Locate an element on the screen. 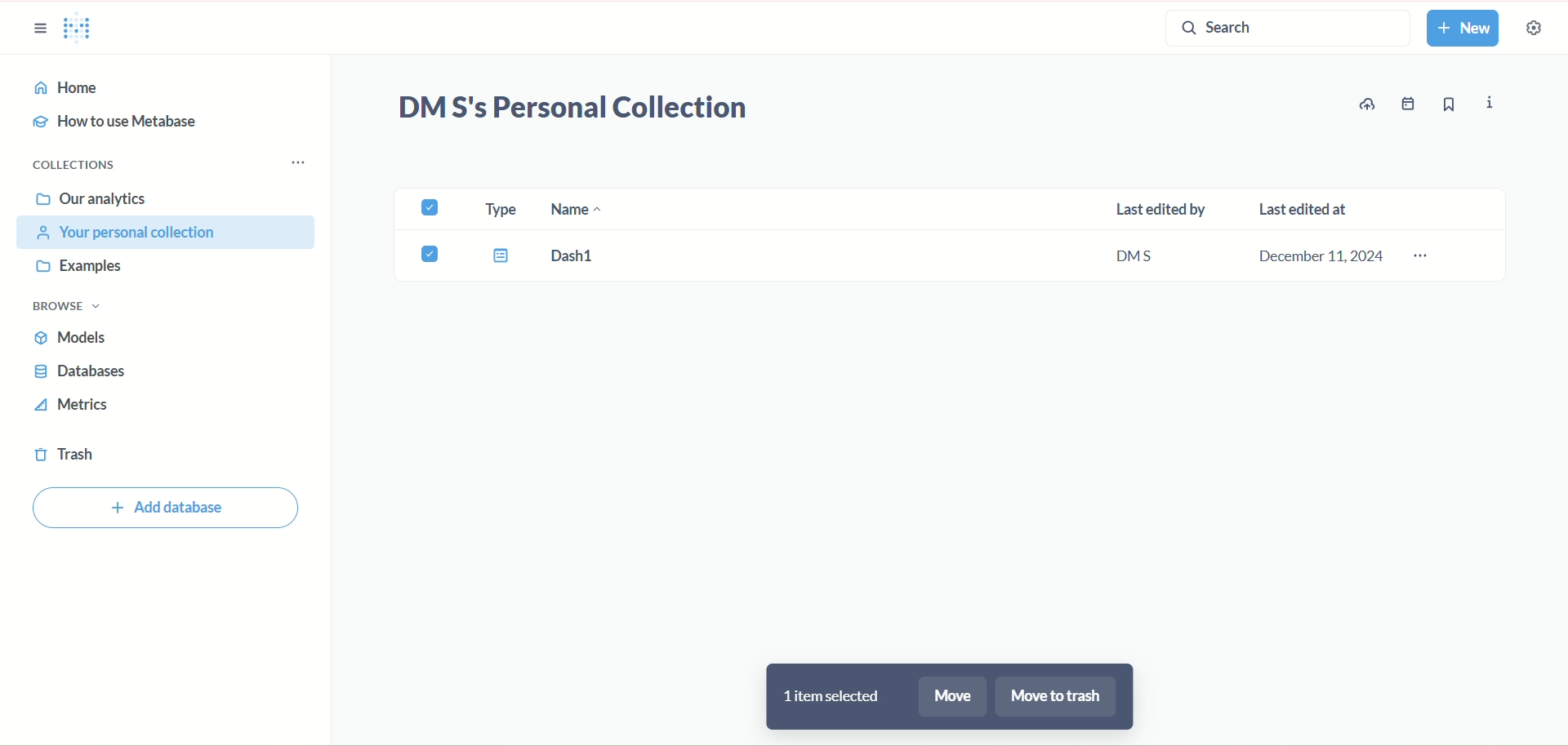 This screenshot has height=746, width=1568. info is located at coordinates (1498, 104).